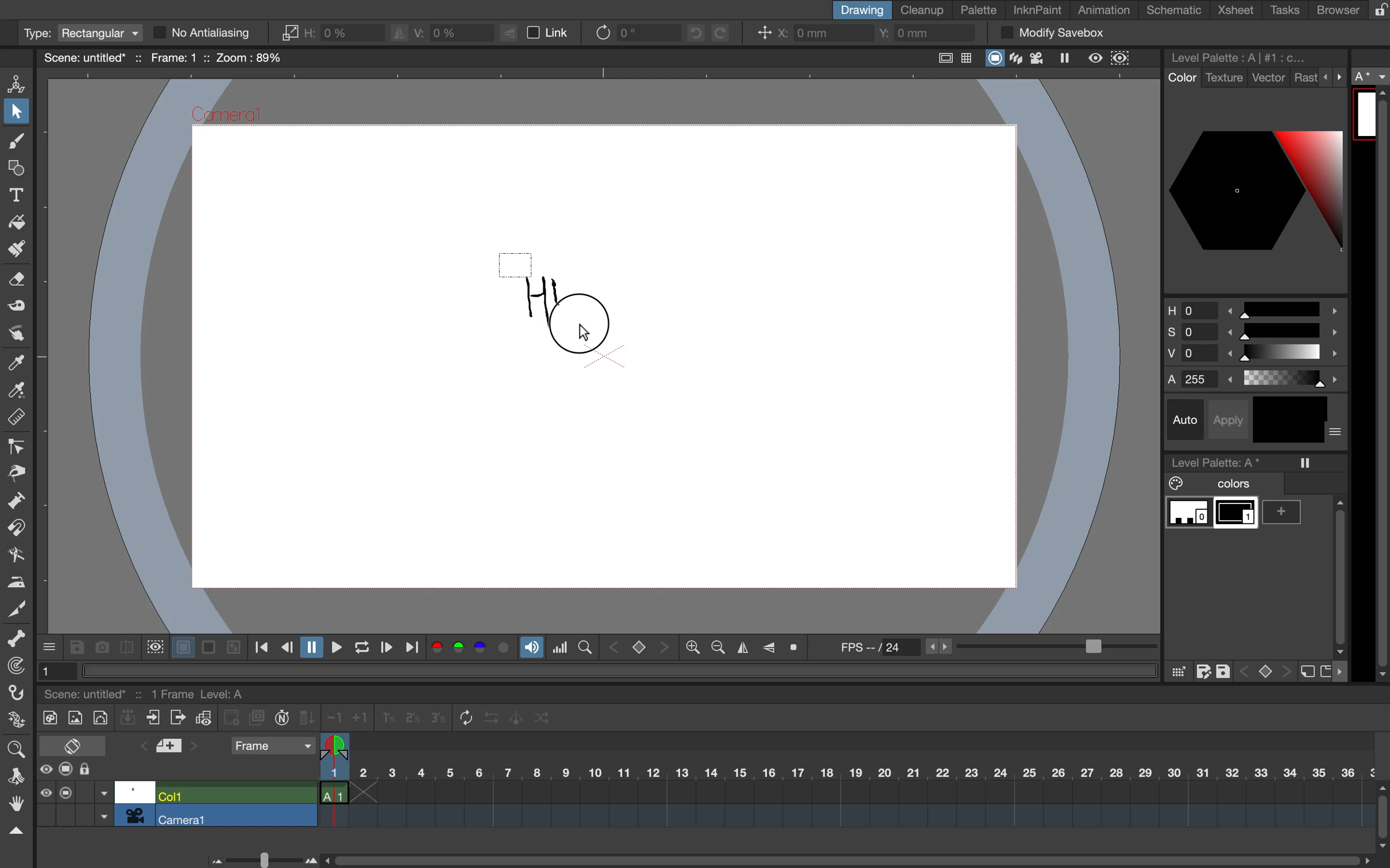  Describe the element at coordinates (104, 806) in the screenshot. I see `toggle between options` at that location.